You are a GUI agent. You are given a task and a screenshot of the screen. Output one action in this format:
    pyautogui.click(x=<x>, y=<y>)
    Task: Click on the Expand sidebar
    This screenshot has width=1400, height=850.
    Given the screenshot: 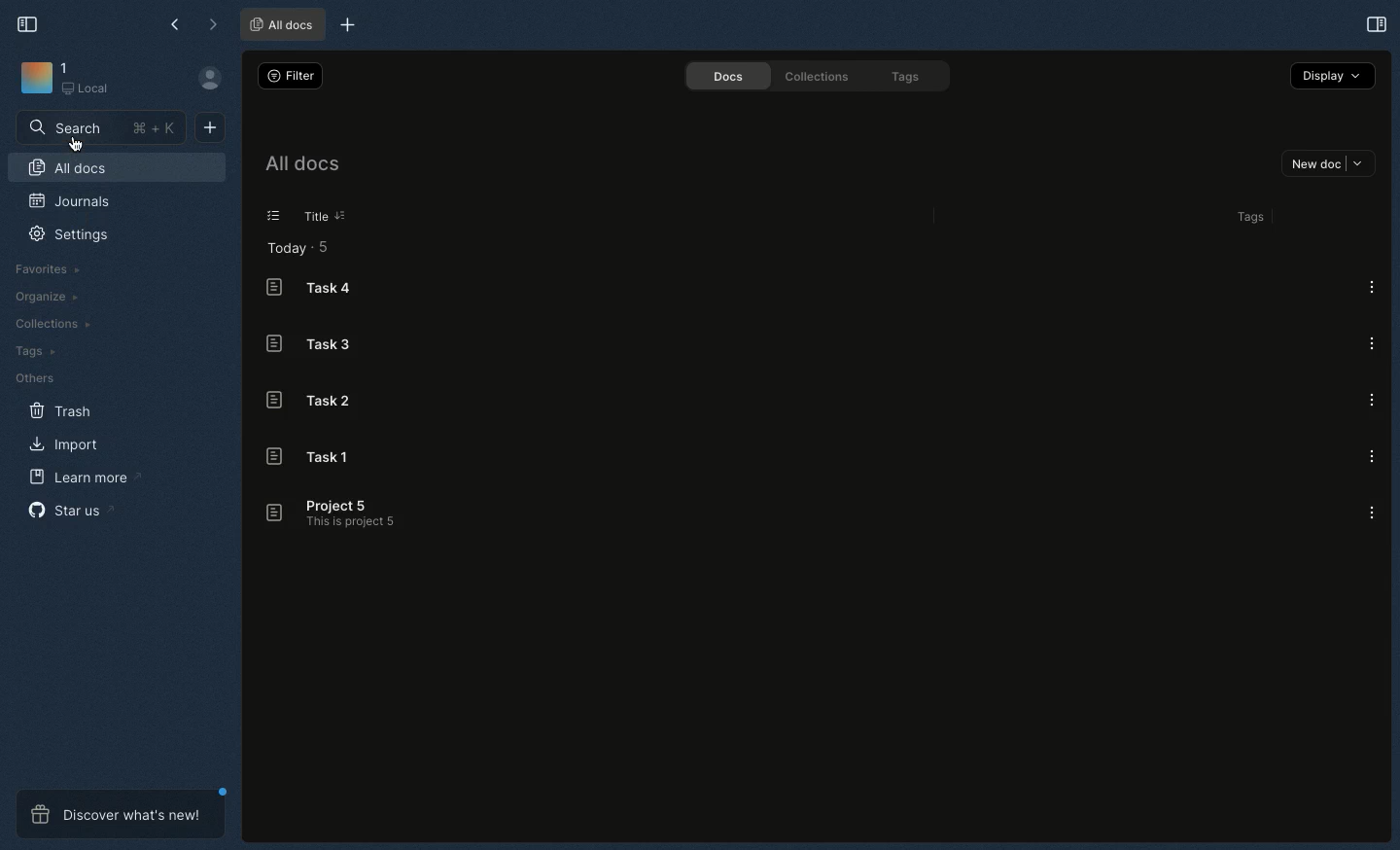 What is the action you would take?
    pyautogui.click(x=1377, y=21)
    